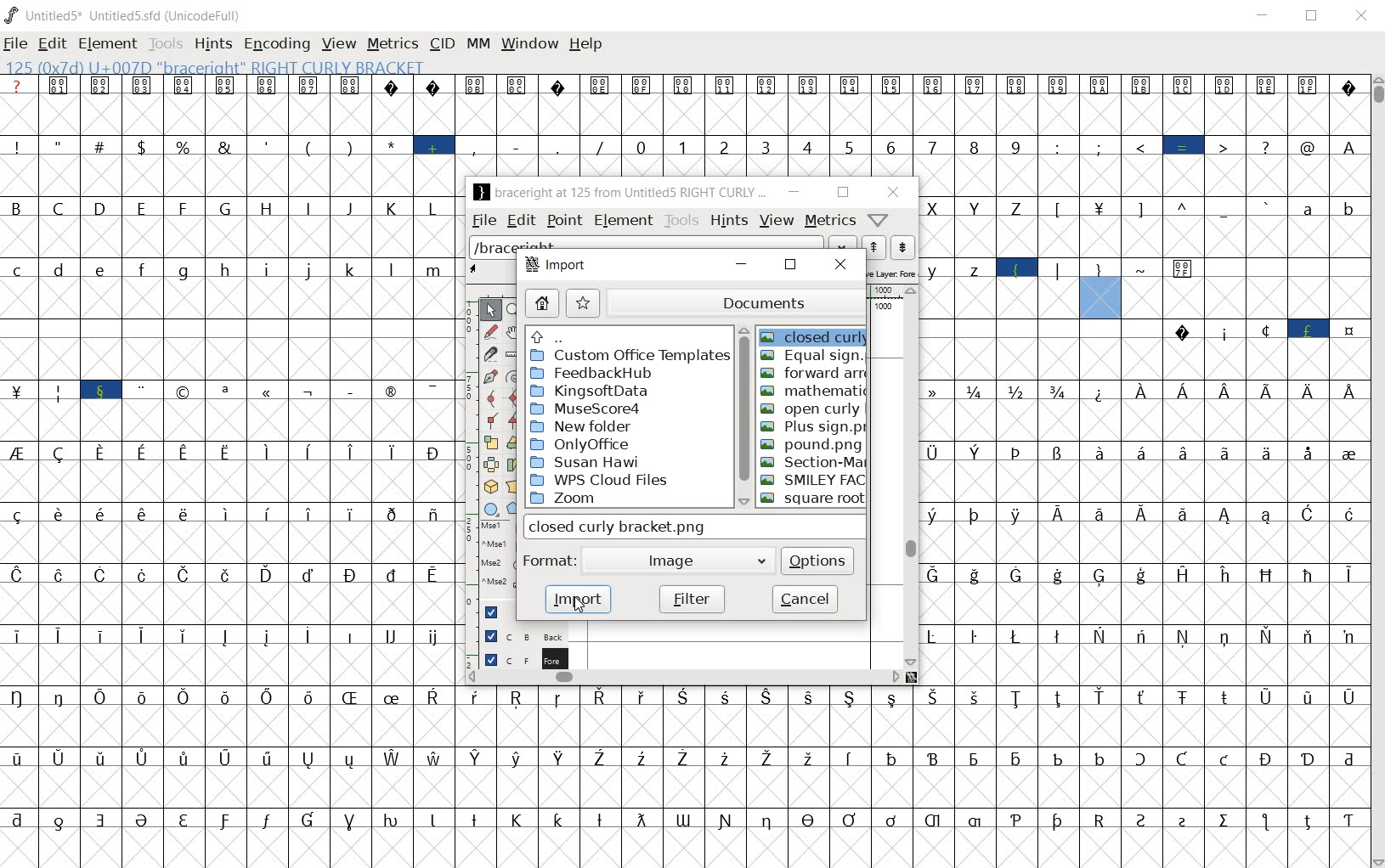 This screenshot has width=1385, height=868. Describe the element at coordinates (541, 304) in the screenshot. I see `home` at that location.